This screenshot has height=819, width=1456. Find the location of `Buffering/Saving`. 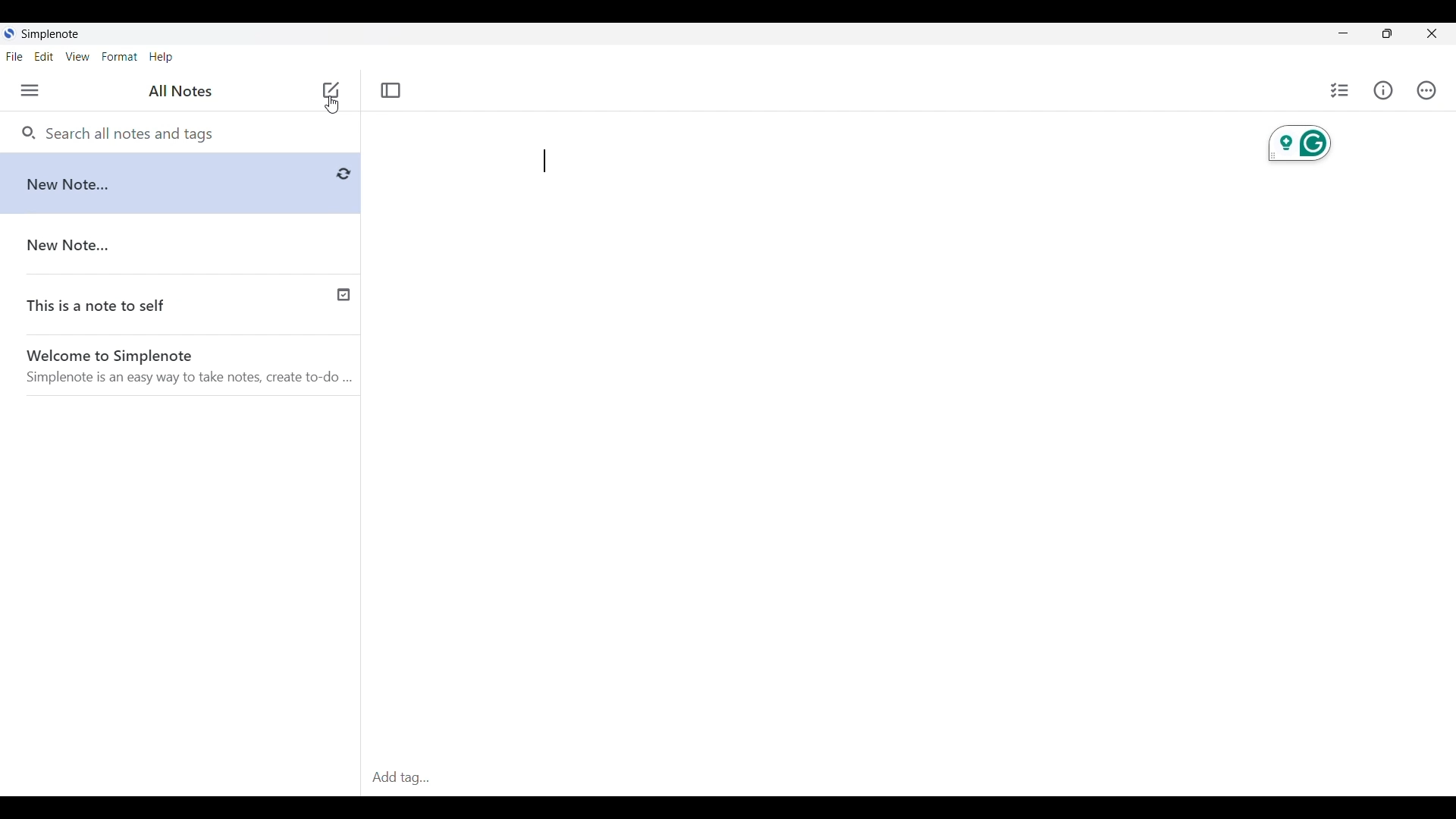

Buffering/Saving is located at coordinates (344, 174).